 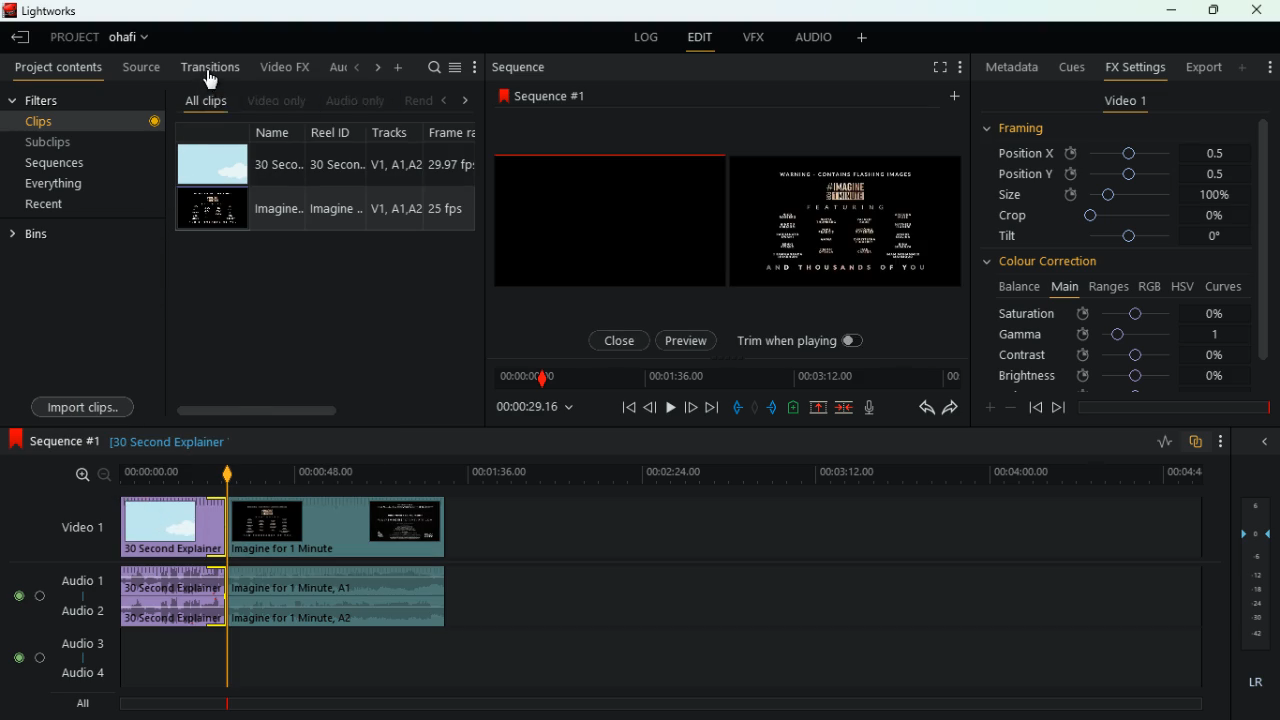 What do you see at coordinates (374, 68) in the screenshot?
I see `change` at bounding box center [374, 68].